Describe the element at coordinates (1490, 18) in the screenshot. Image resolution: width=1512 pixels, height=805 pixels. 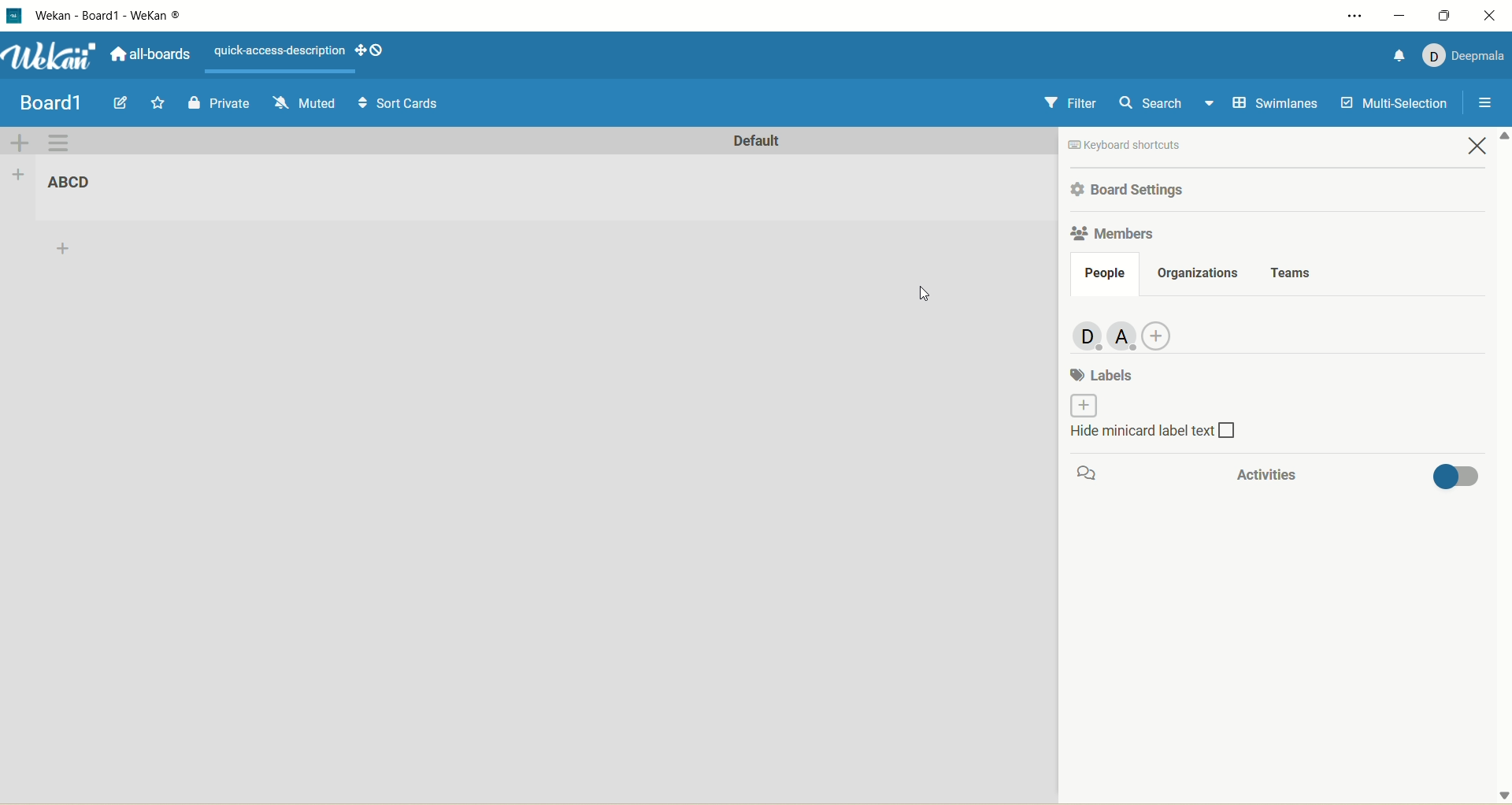
I see `close` at that location.